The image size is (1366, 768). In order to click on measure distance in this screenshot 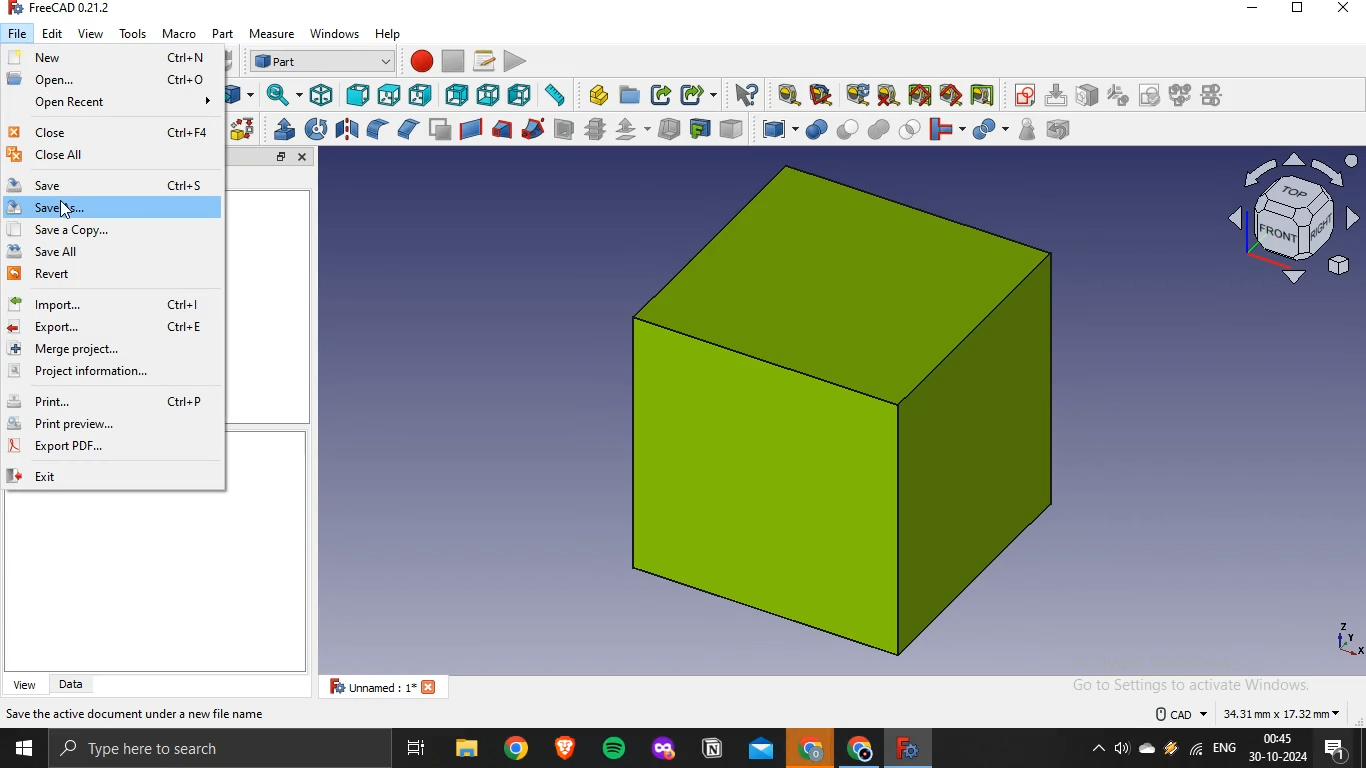, I will do `click(556, 95)`.